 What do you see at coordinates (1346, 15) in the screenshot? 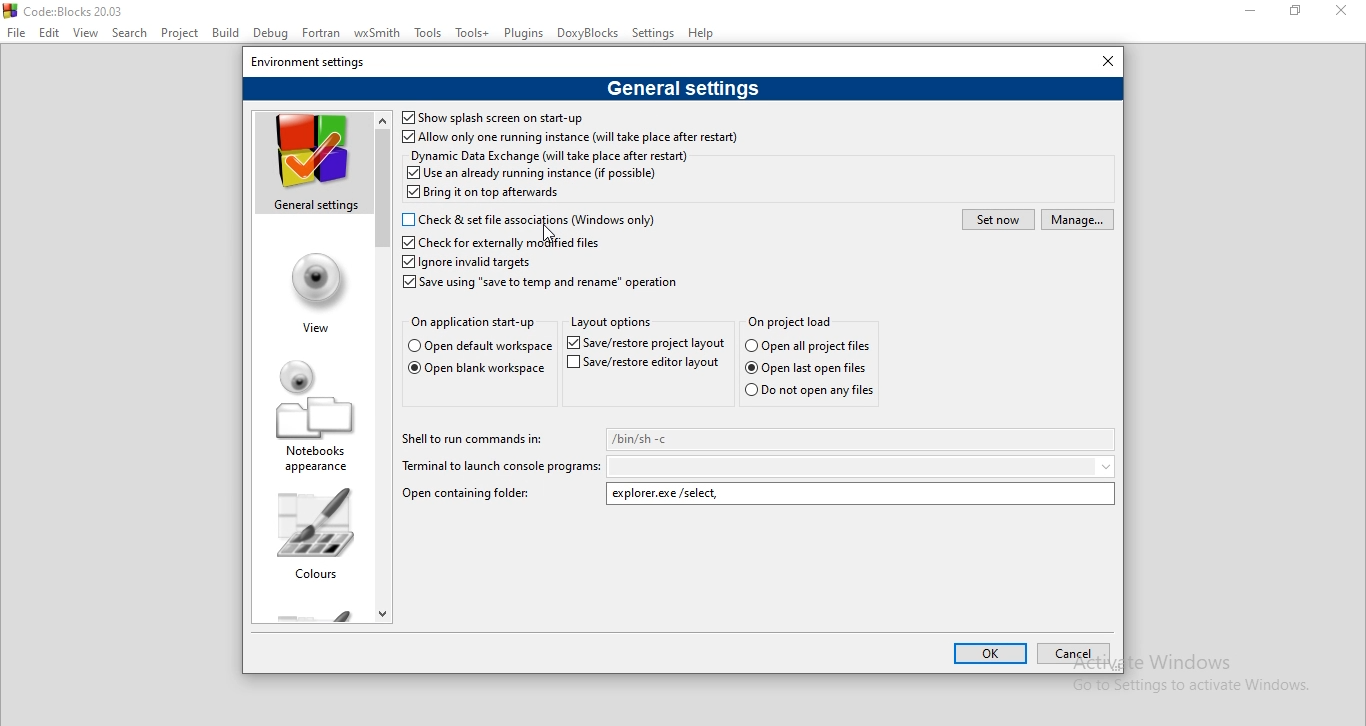
I see `close` at bounding box center [1346, 15].